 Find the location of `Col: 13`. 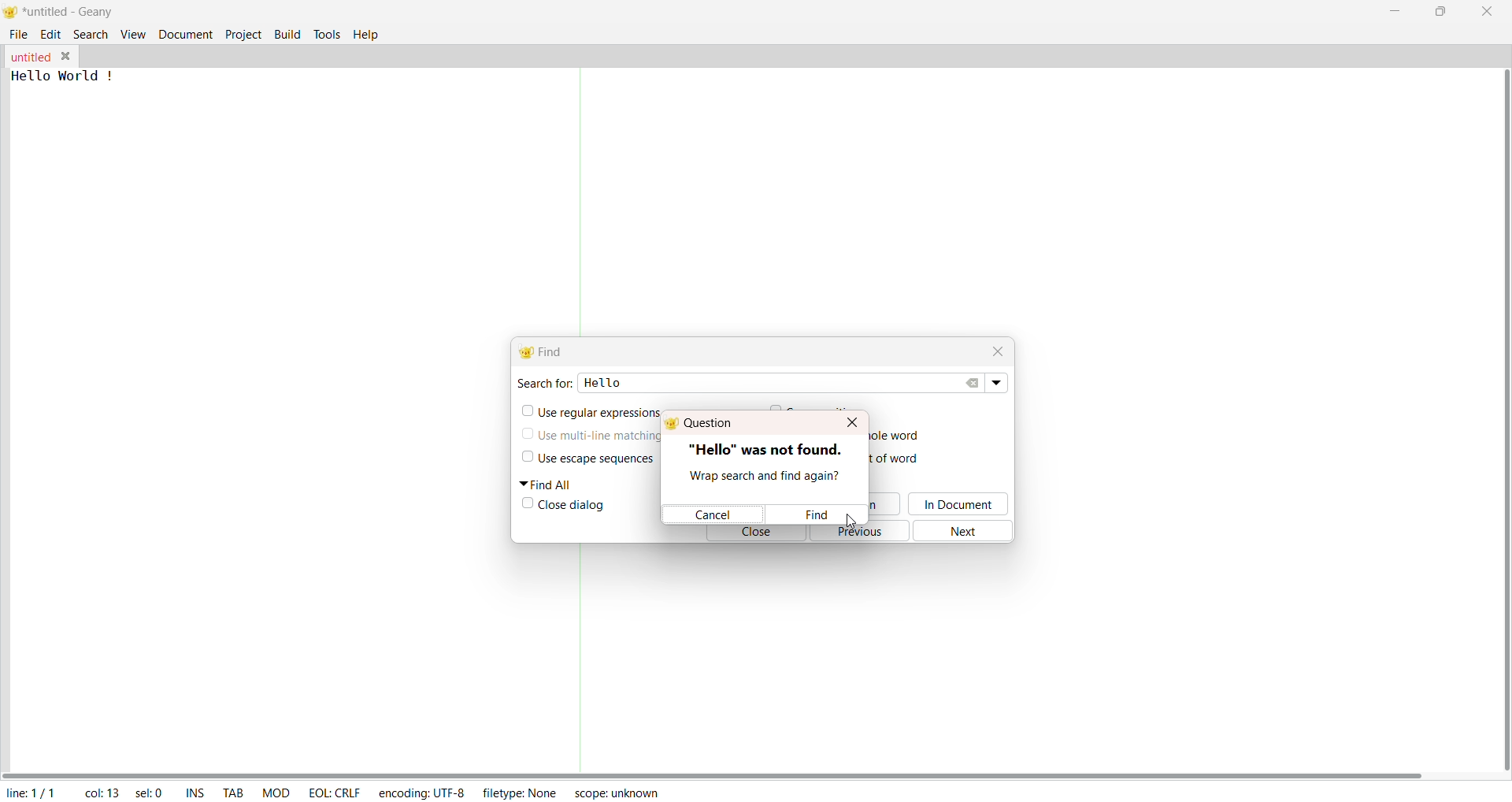

Col: 13 is located at coordinates (98, 790).